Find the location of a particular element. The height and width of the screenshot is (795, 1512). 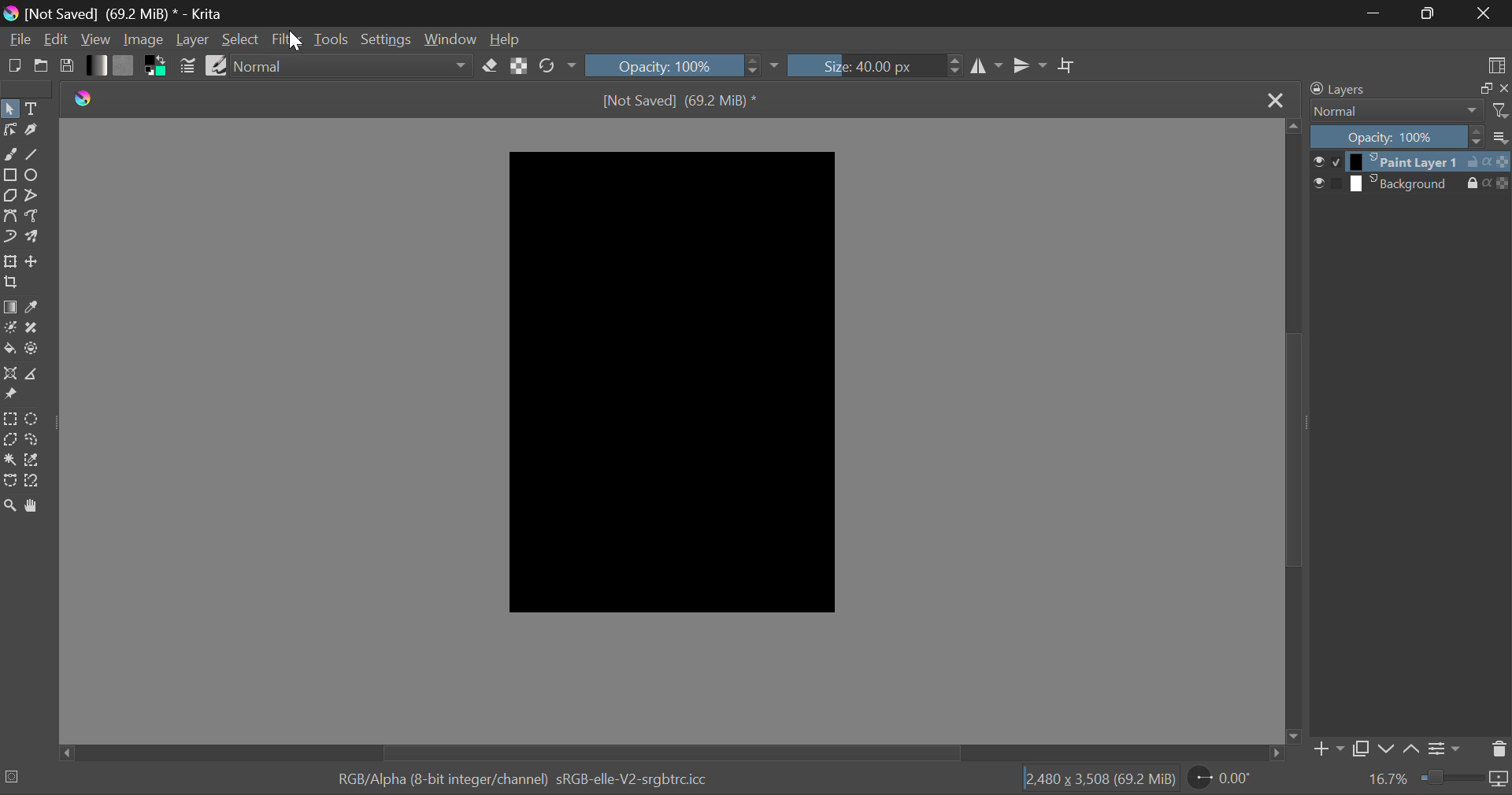

Continuous Selection is located at coordinates (11, 461).